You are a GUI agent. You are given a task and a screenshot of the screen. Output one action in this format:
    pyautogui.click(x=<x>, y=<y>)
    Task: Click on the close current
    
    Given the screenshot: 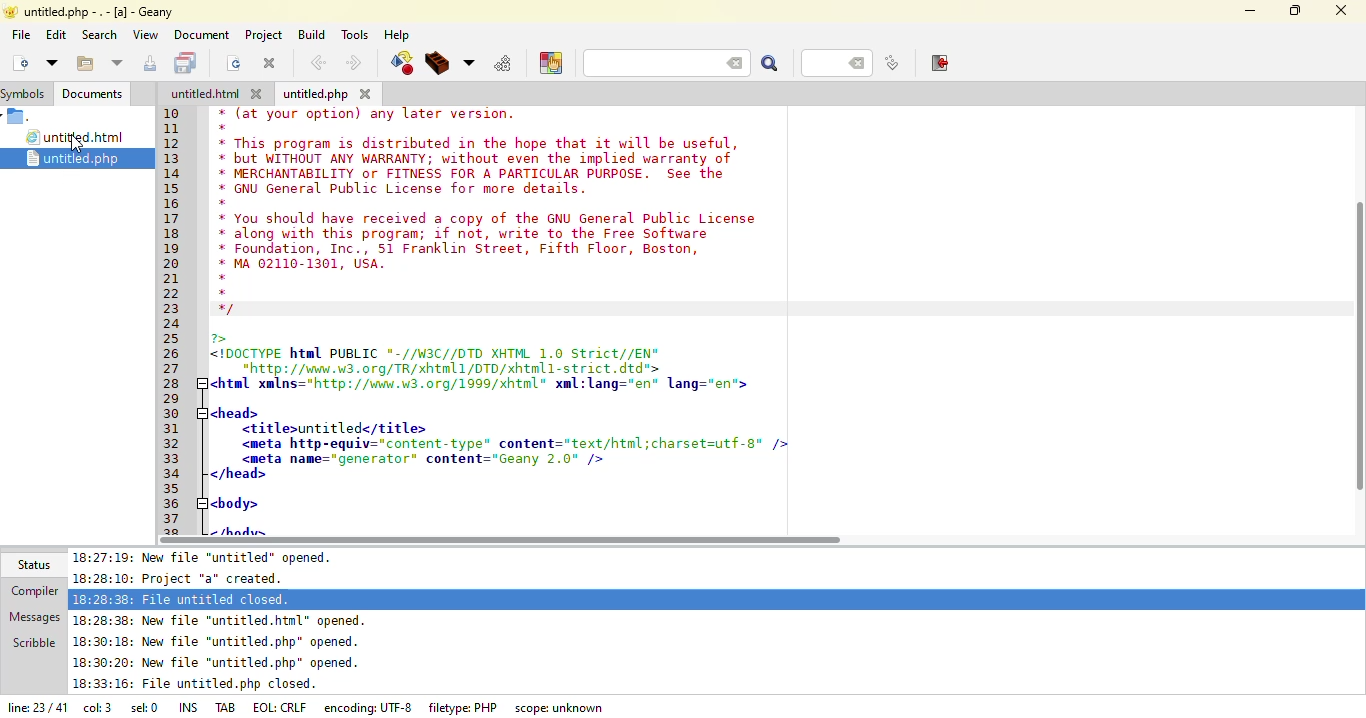 What is the action you would take?
    pyautogui.click(x=269, y=63)
    